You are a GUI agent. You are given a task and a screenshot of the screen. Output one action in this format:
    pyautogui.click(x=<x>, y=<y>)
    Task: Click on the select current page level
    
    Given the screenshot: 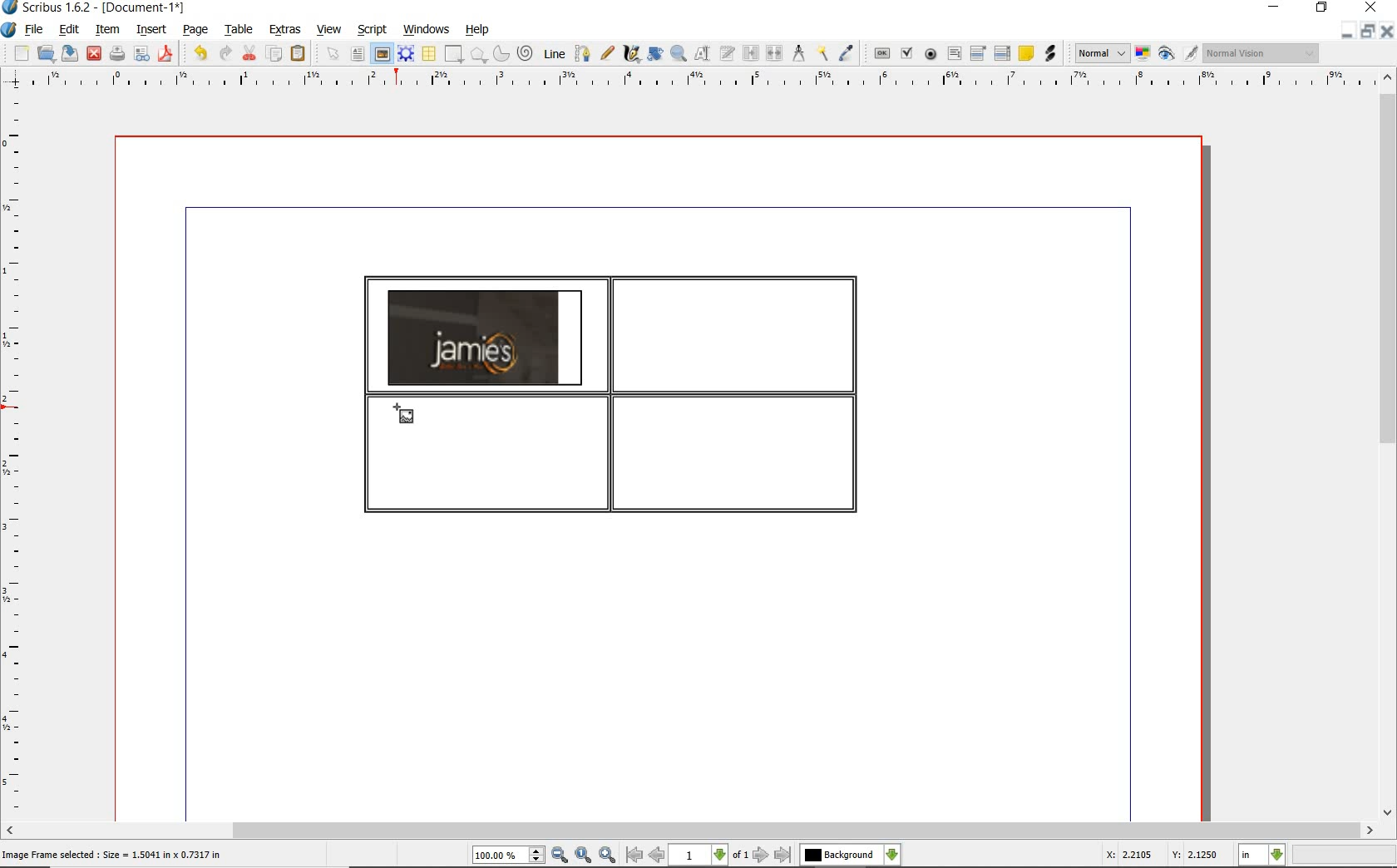 What is the action you would take?
    pyautogui.click(x=709, y=855)
    